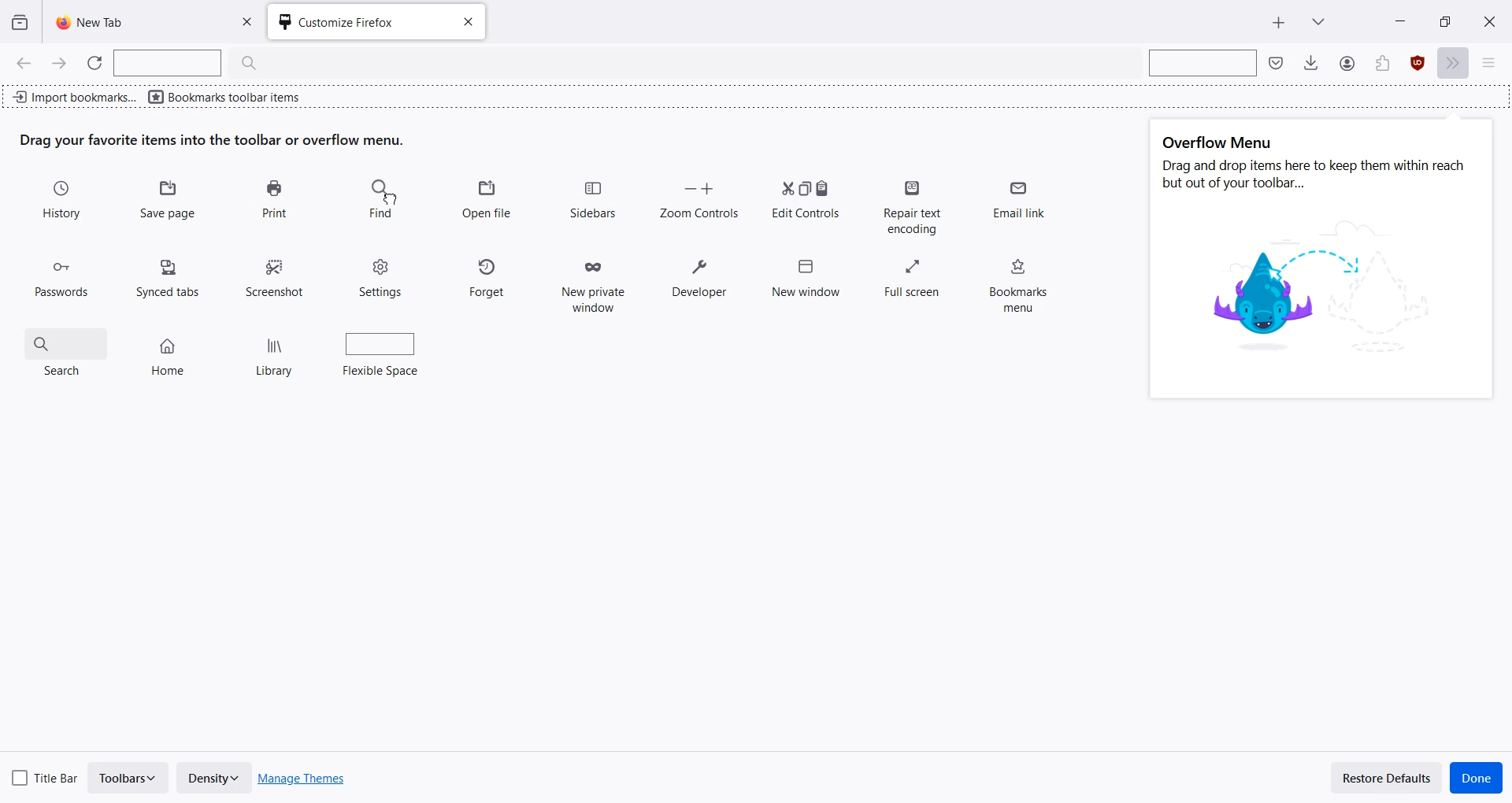 The width and height of the screenshot is (1512, 803). I want to click on Sidebar, so click(592, 198).